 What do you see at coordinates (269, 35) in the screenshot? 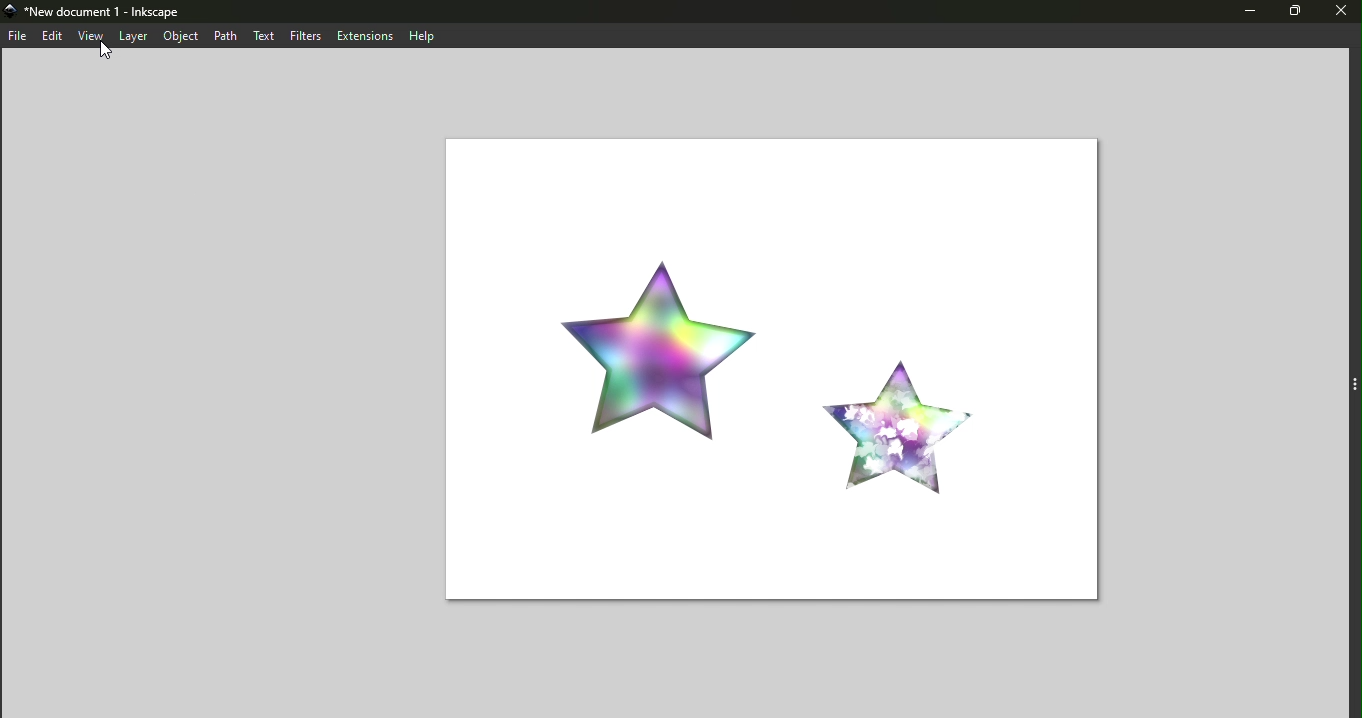
I see `Text` at bounding box center [269, 35].